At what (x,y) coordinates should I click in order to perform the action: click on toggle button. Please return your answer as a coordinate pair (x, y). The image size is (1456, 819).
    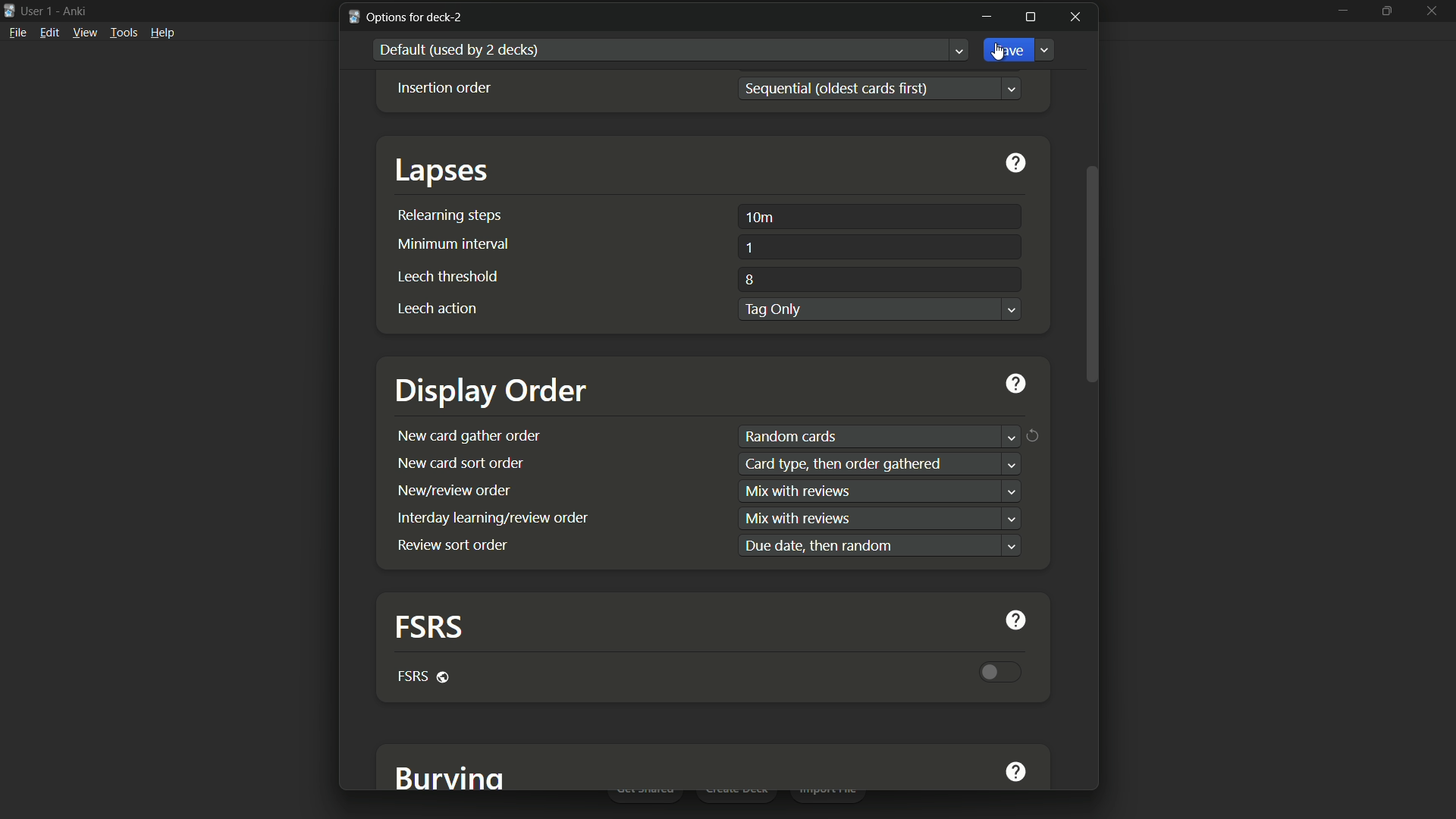
    Looking at the image, I should click on (999, 670).